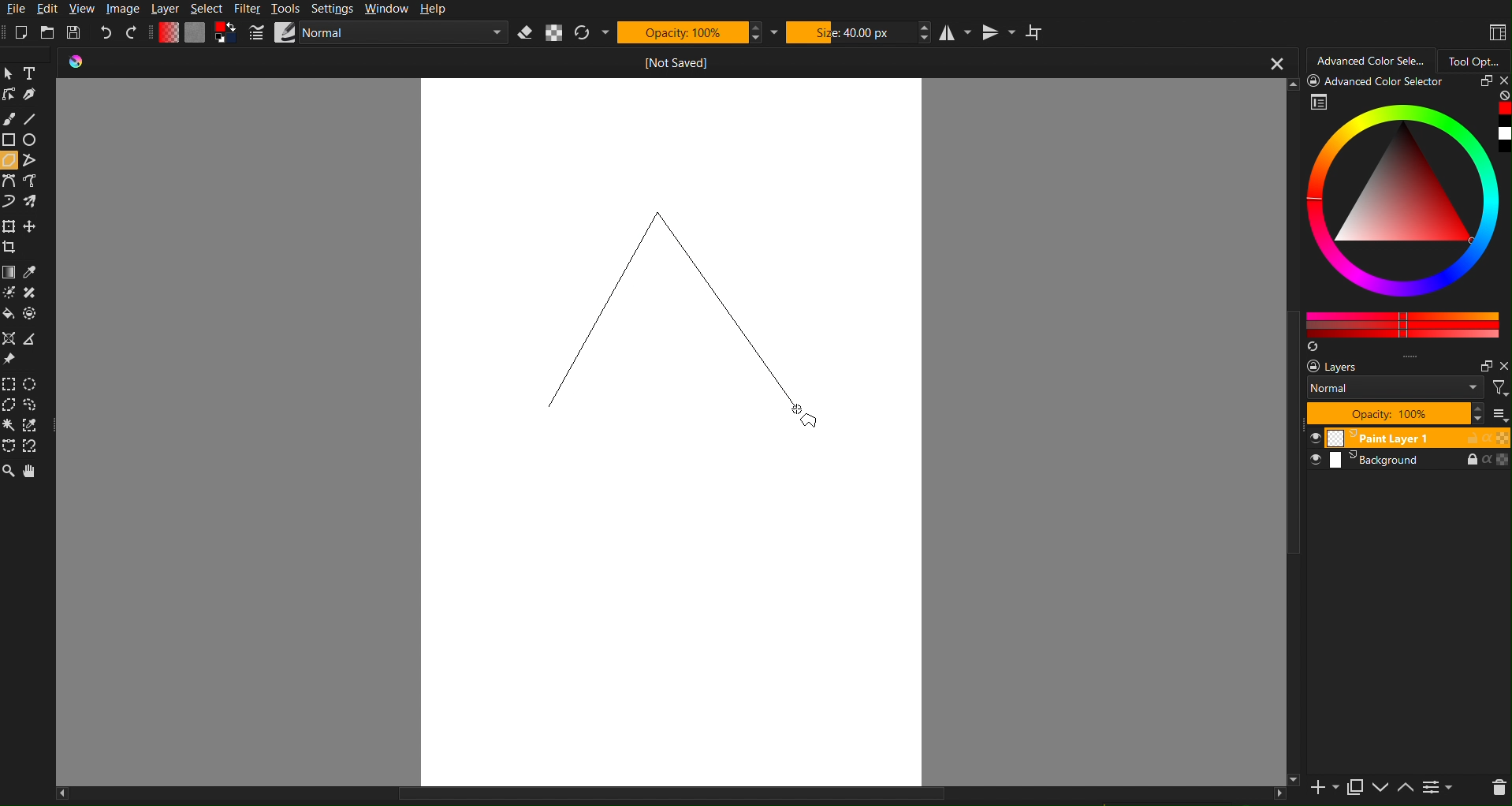 Image resolution: width=1512 pixels, height=806 pixels. What do you see at coordinates (35, 339) in the screenshot?
I see `measure the distance between two points` at bounding box center [35, 339].